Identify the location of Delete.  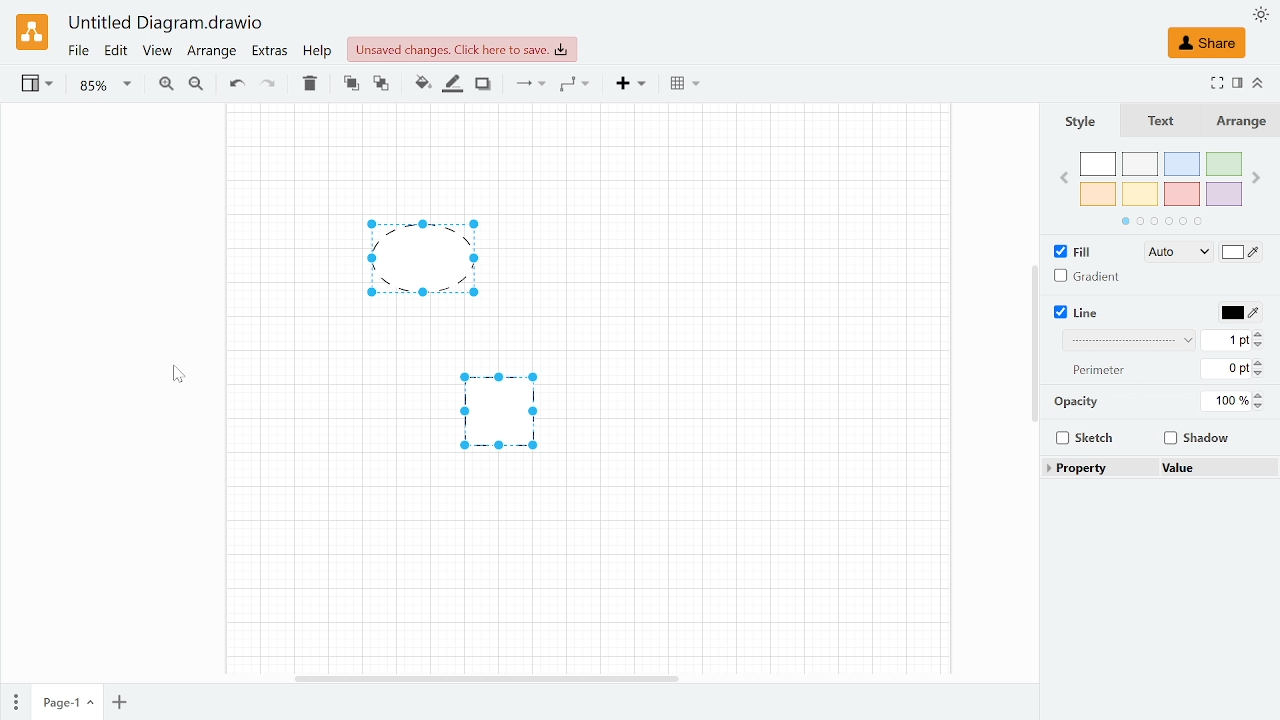
(307, 84).